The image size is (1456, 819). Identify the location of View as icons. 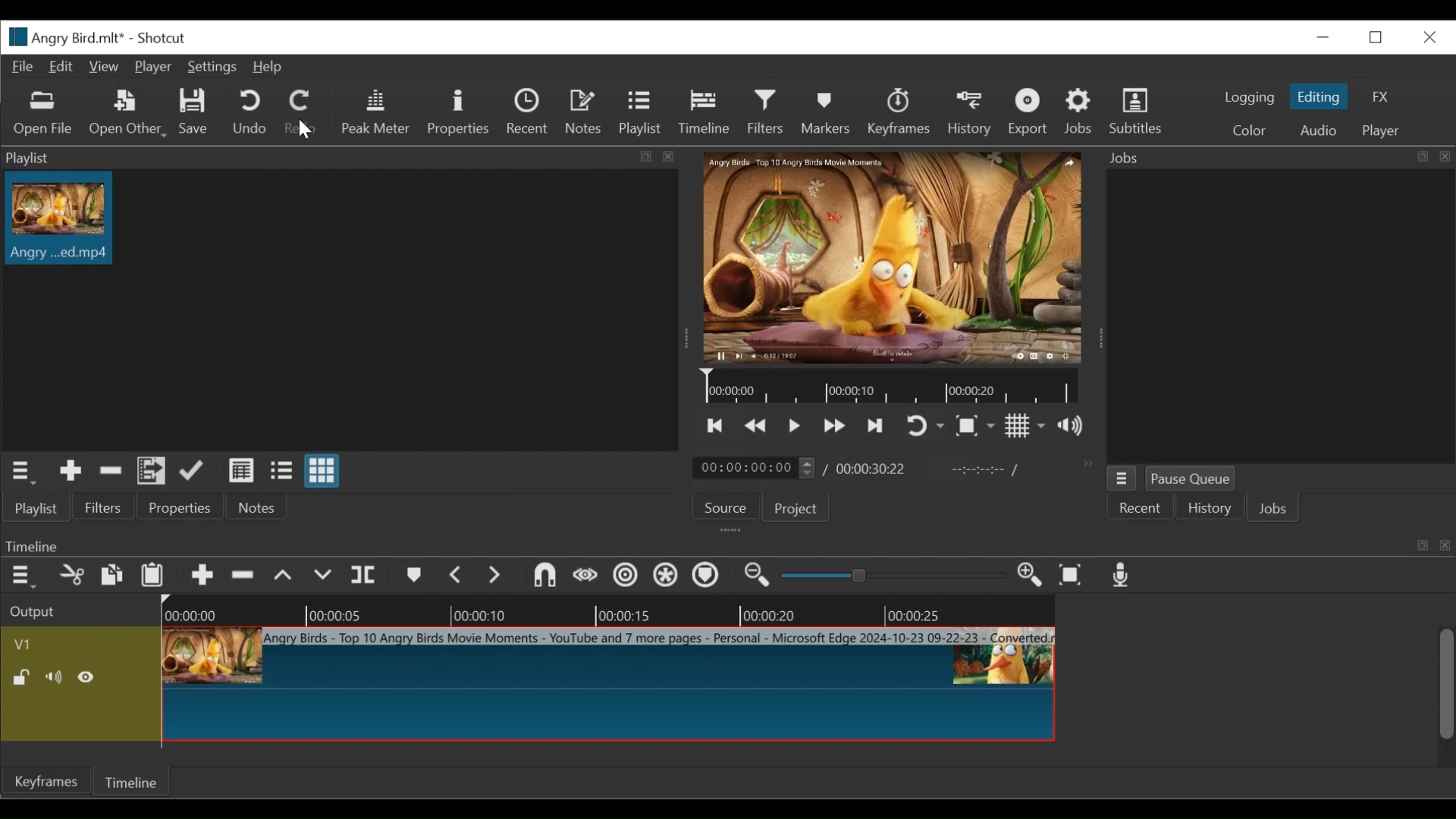
(322, 469).